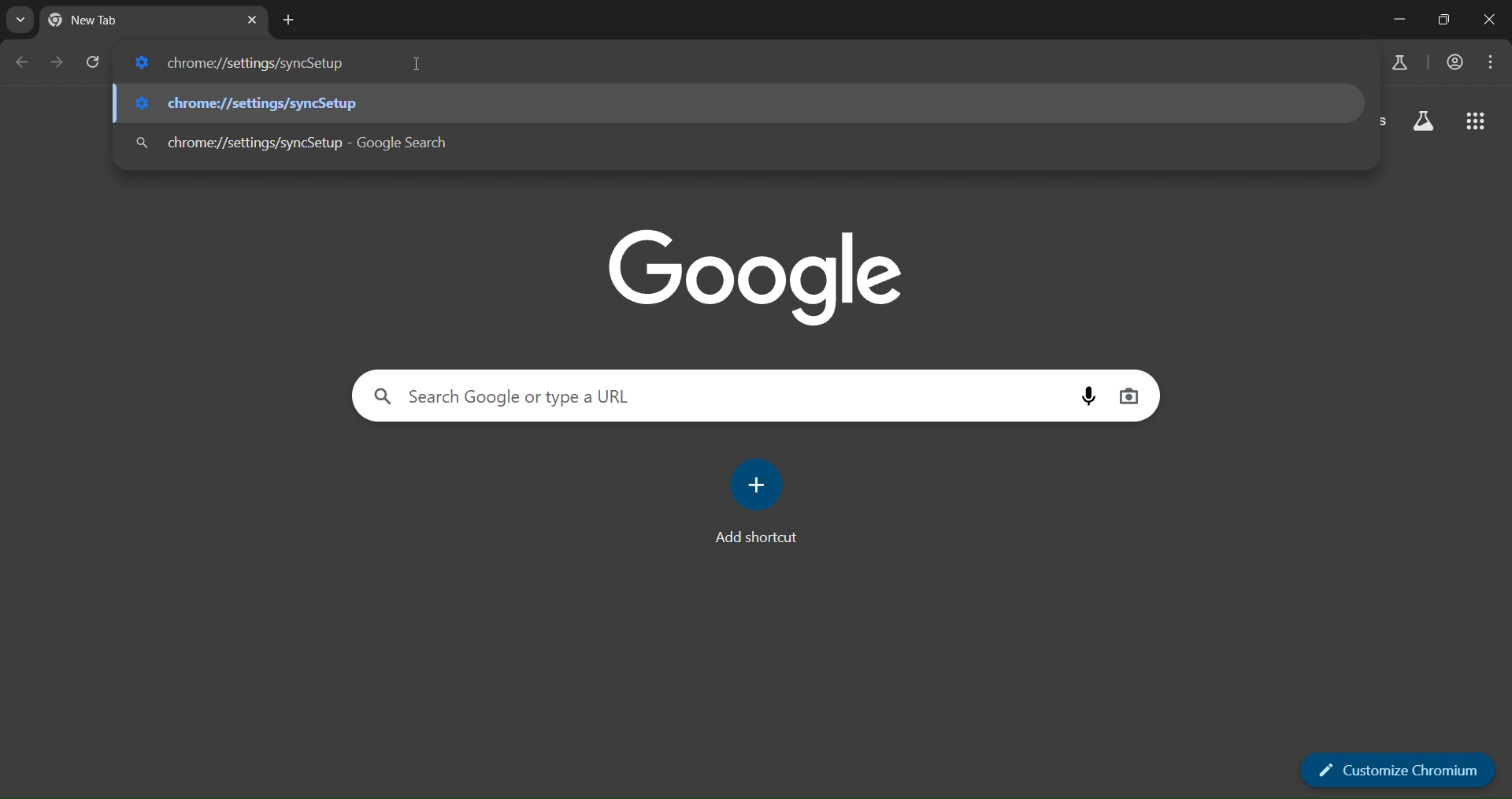 Image resolution: width=1512 pixels, height=799 pixels. What do you see at coordinates (1455, 63) in the screenshot?
I see `account` at bounding box center [1455, 63].